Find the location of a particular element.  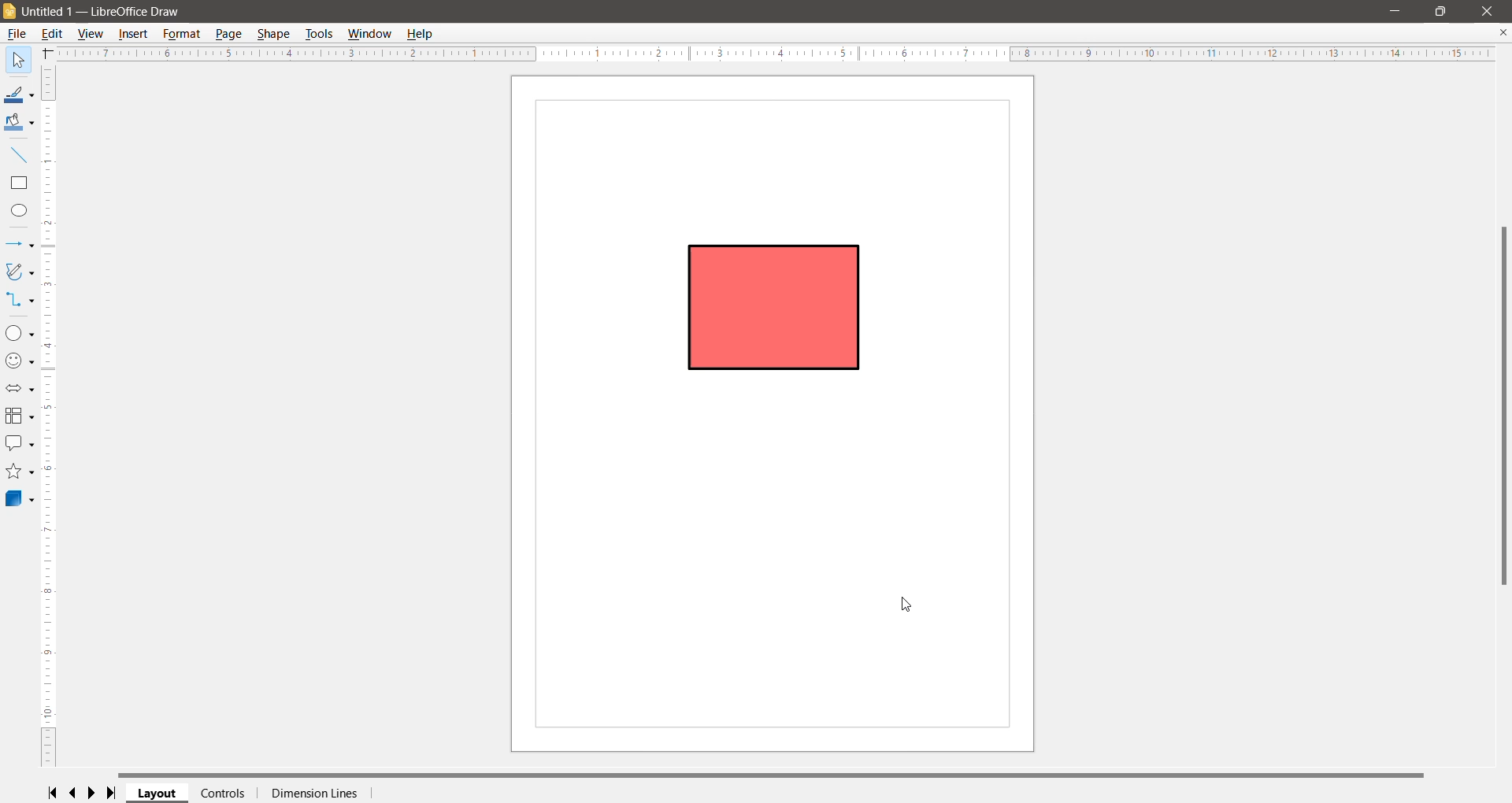

Symbol Shapes is located at coordinates (20, 362).